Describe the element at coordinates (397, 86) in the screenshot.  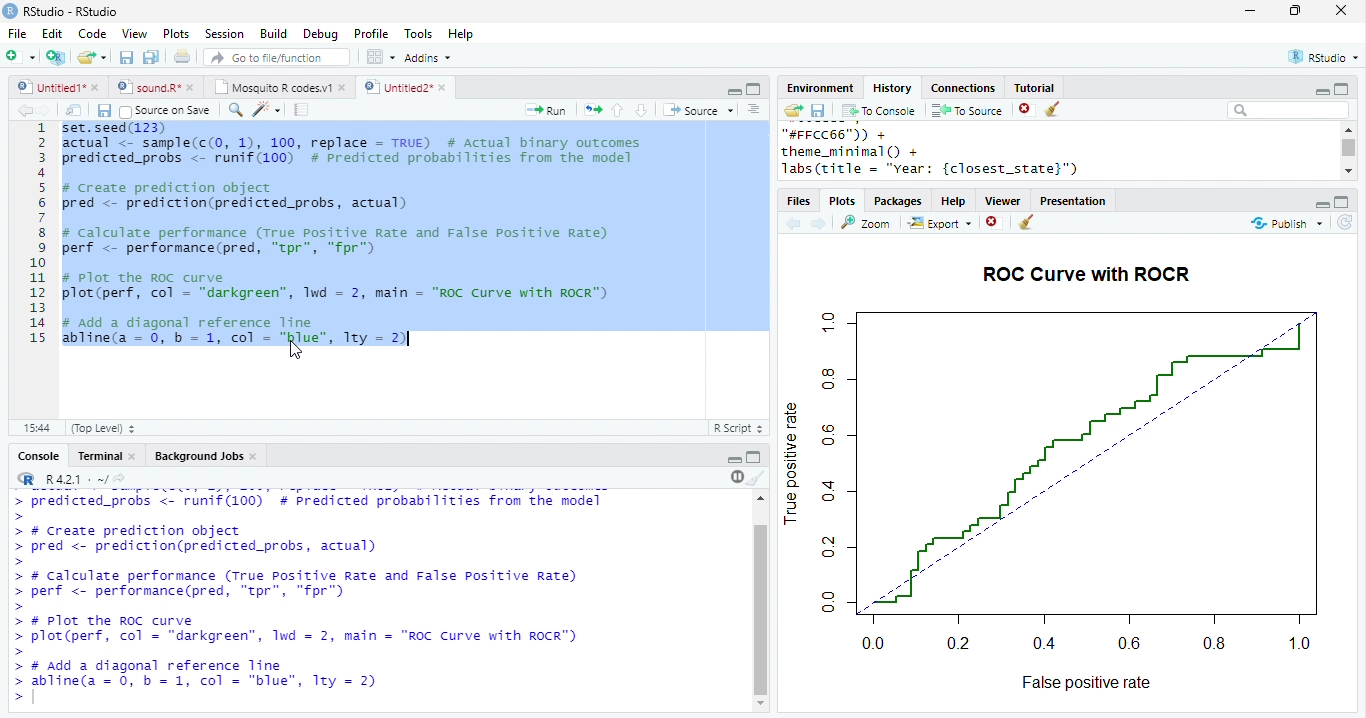
I see `Untitled 2` at that location.